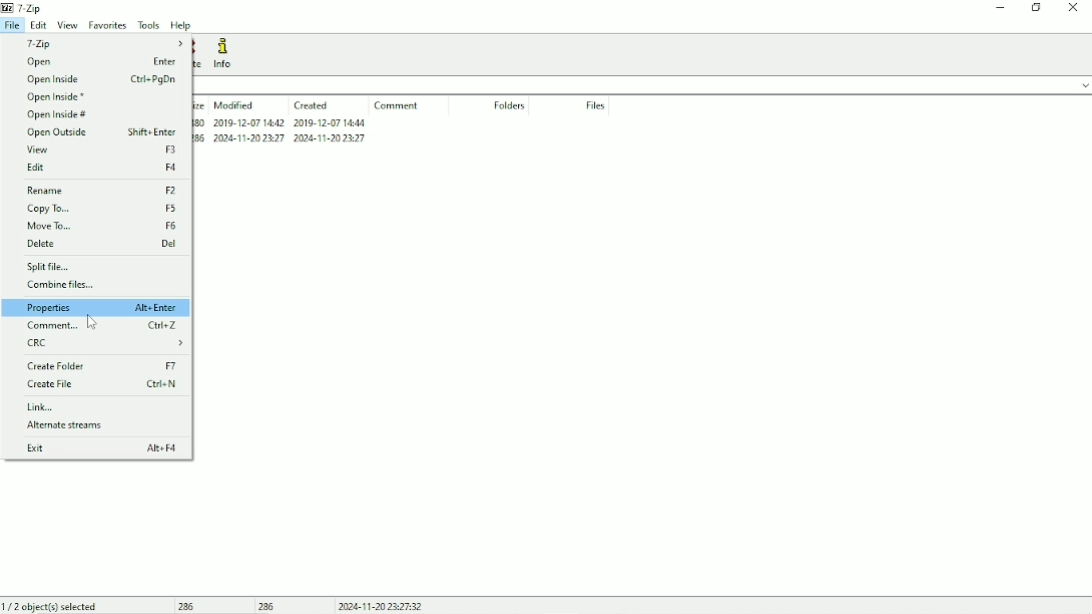 The image size is (1092, 614). Describe the element at coordinates (188, 606) in the screenshot. I see `286` at that location.